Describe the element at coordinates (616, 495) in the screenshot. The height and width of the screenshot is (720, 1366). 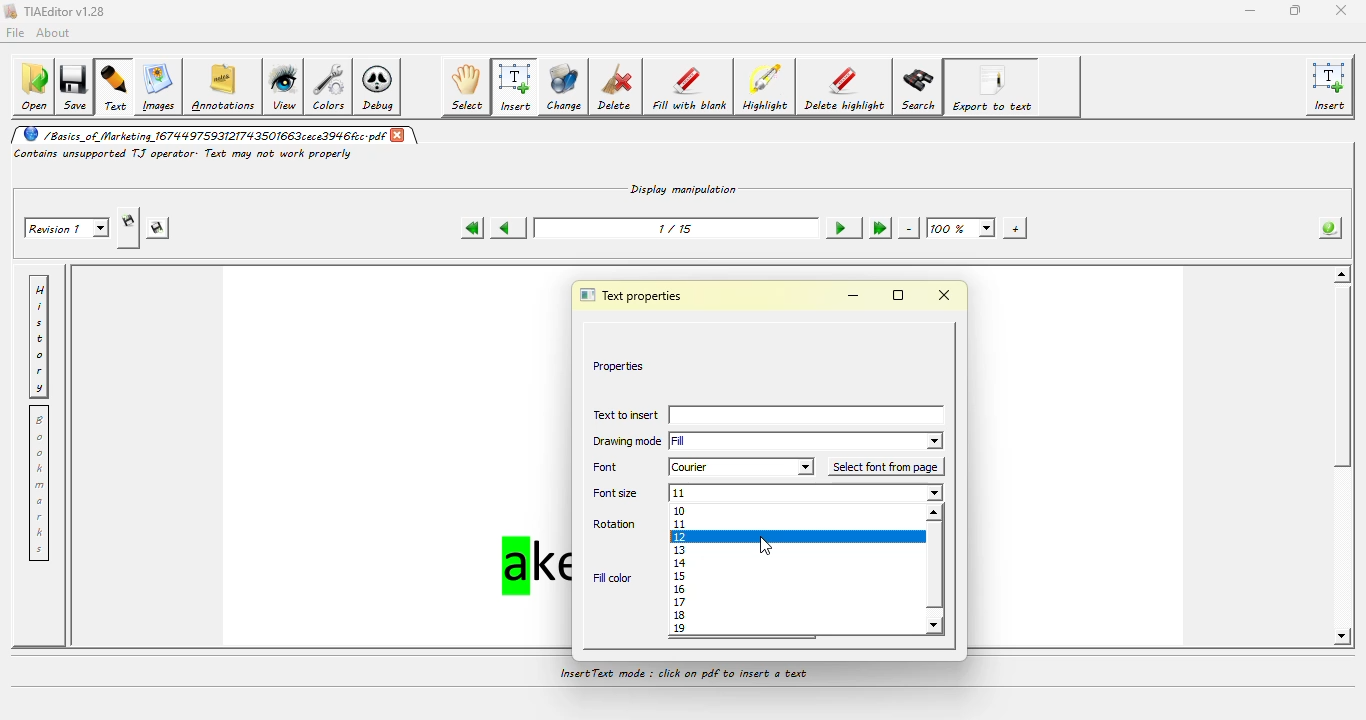
I see `Font size` at that location.